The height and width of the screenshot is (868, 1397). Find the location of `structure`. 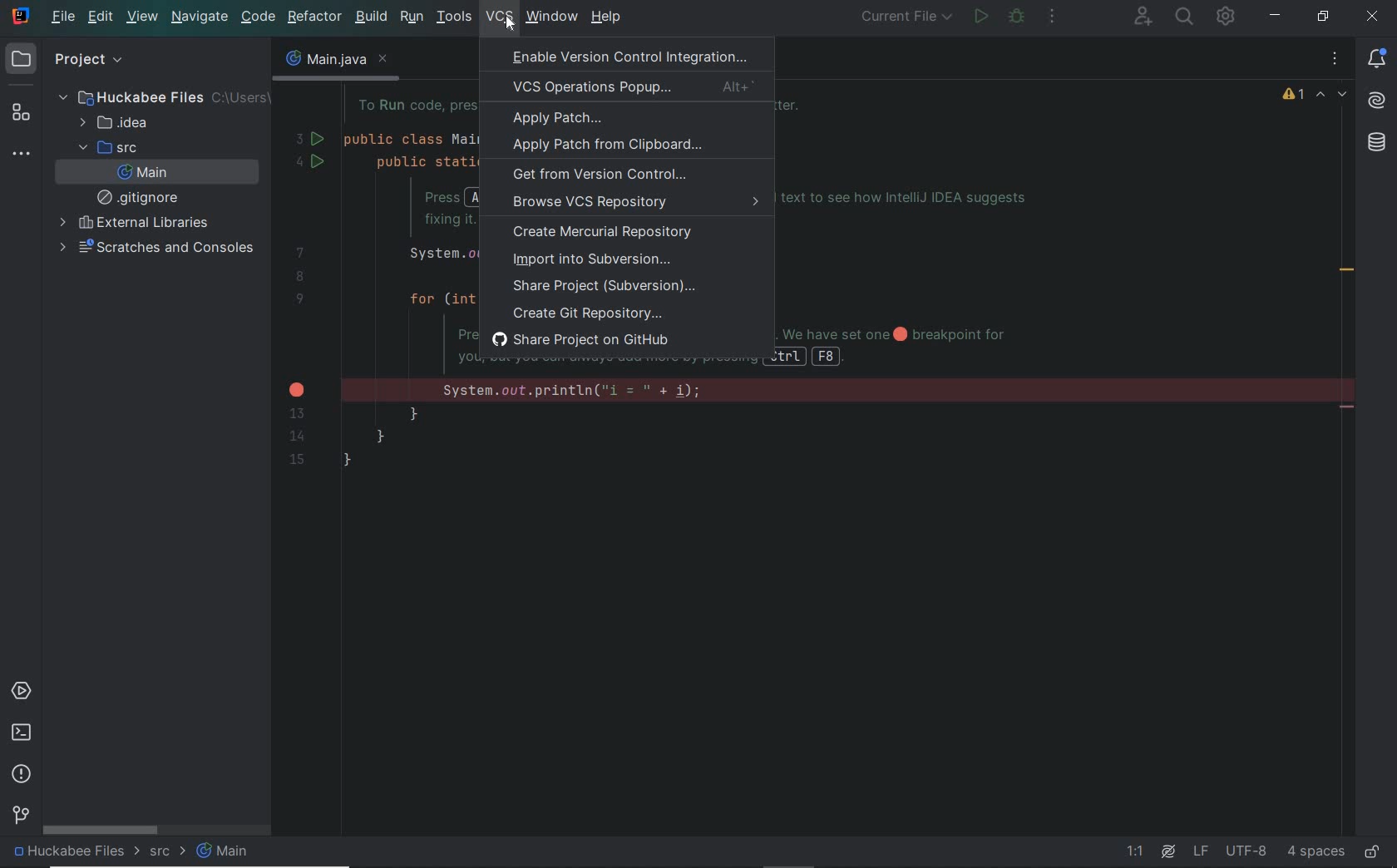

structure is located at coordinates (20, 113).